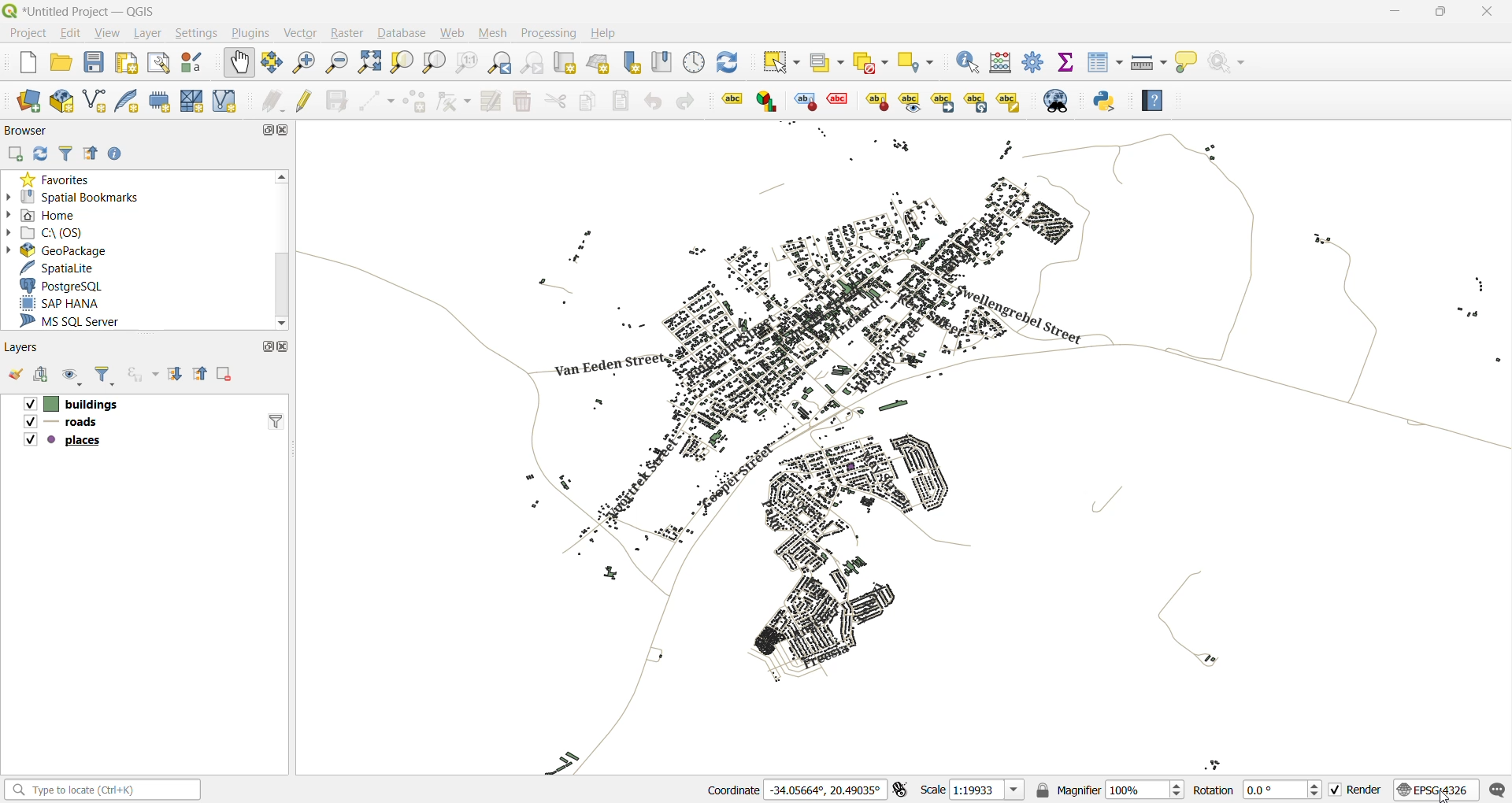 This screenshot has width=1512, height=803. What do you see at coordinates (263, 131) in the screenshot?
I see `maximize` at bounding box center [263, 131].